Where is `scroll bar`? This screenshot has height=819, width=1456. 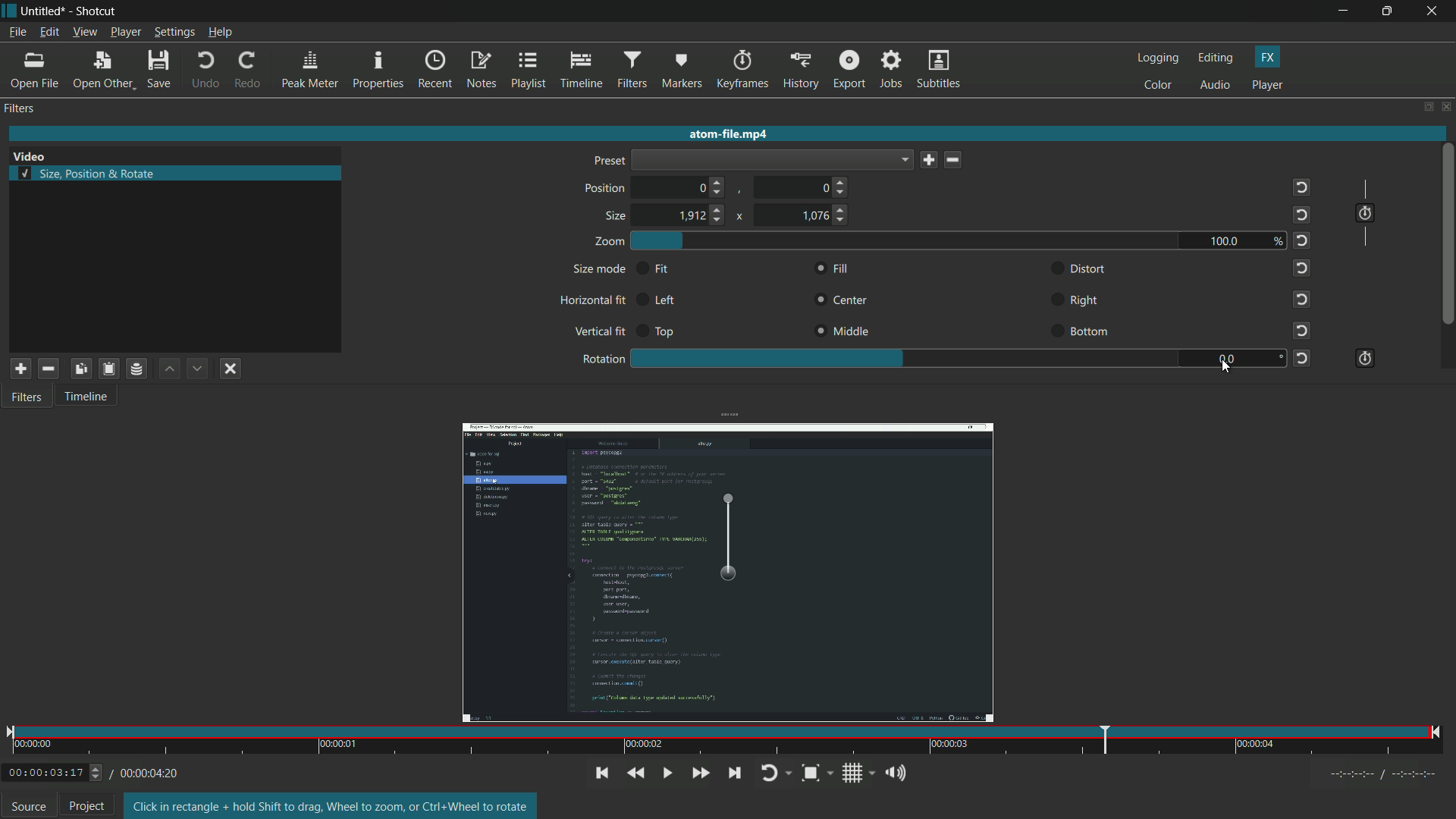 scroll bar is located at coordinates (1447, 234).